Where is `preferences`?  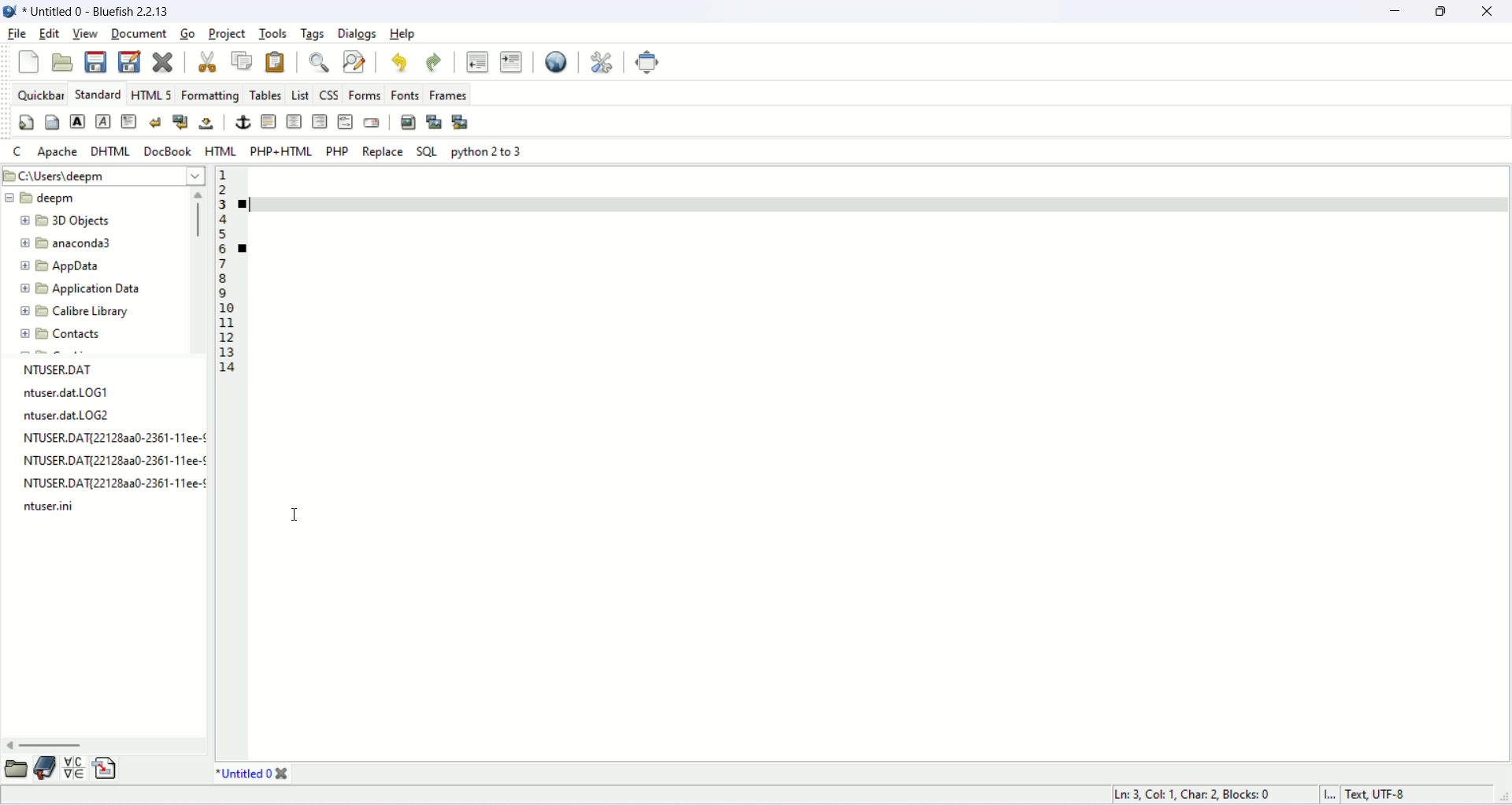
preferences is located at coordinates (603, 63).